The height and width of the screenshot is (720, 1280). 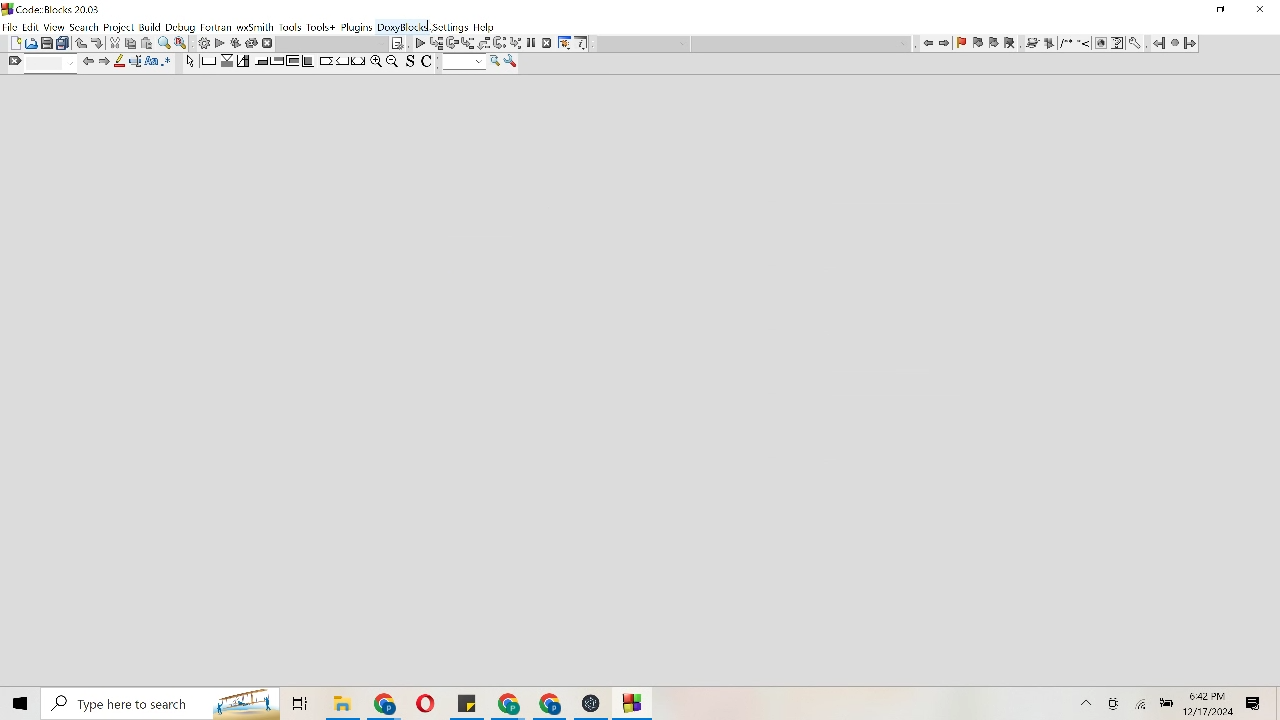 What do you see at coordinates (386, 703) in the screenshot?
I see `File` at bounding box center [386, 703].